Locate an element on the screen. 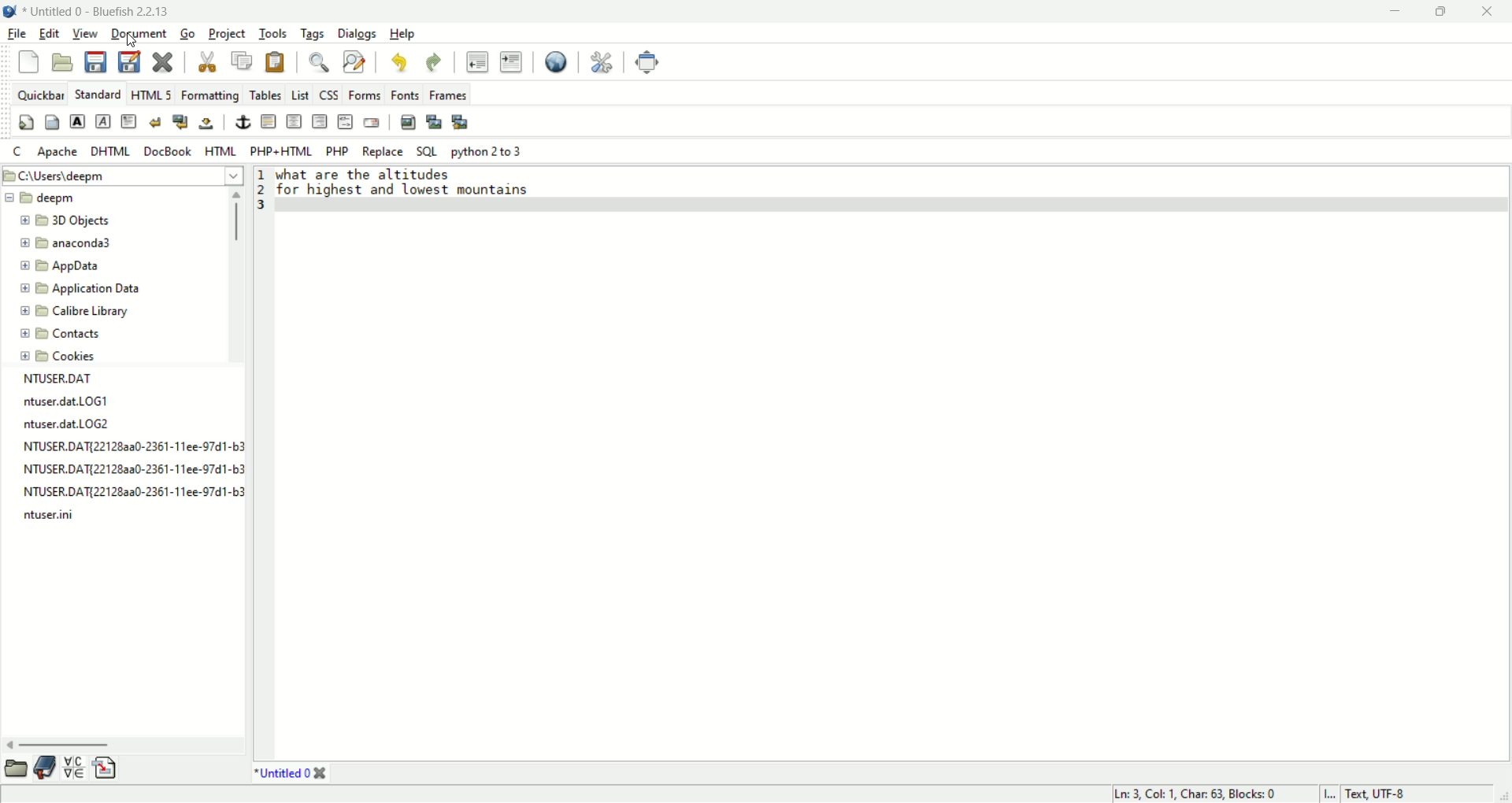 The width and height of the screenshot is (1512, 803). file name is located at coordinates (75, 403).